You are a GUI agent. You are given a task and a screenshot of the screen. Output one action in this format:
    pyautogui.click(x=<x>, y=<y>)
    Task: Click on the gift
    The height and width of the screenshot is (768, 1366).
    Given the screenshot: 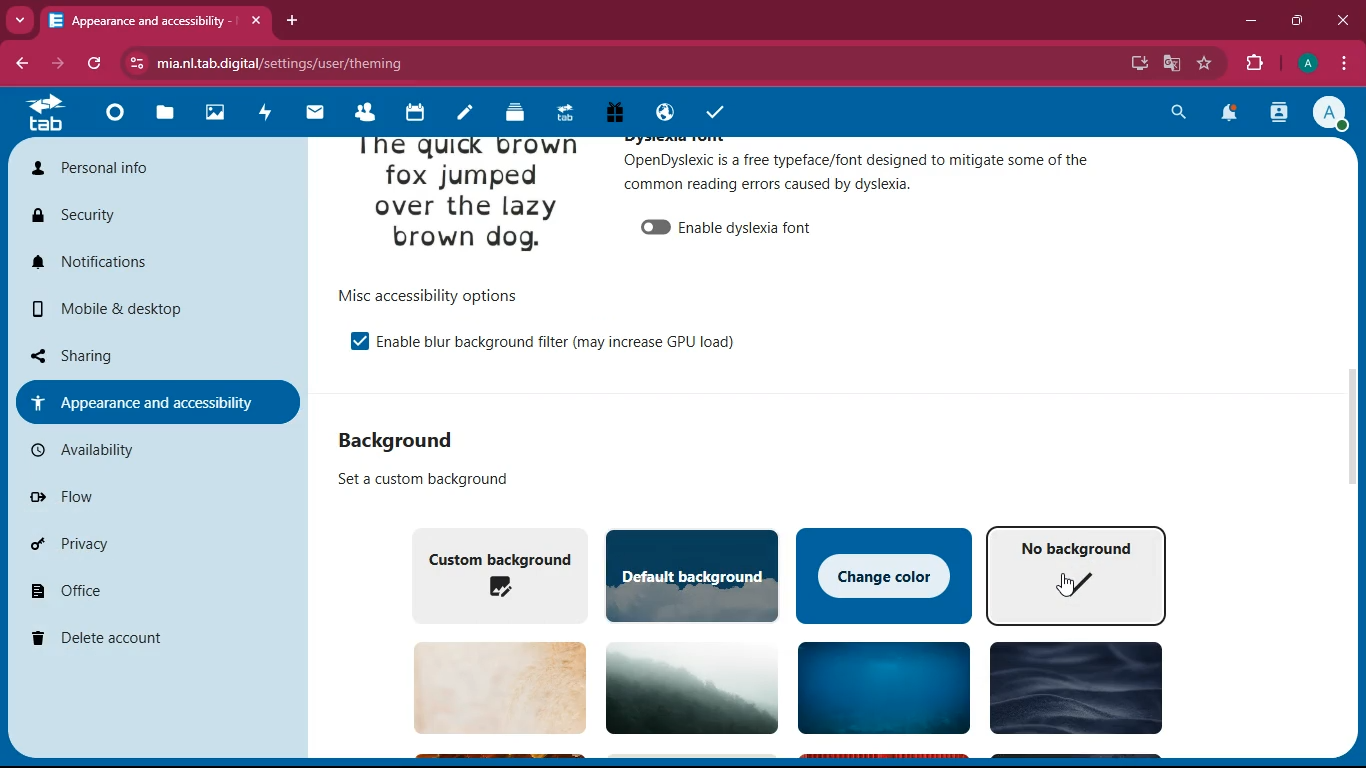 What is the action you would take?
    pyautogui.click(x=613, y=112)
    